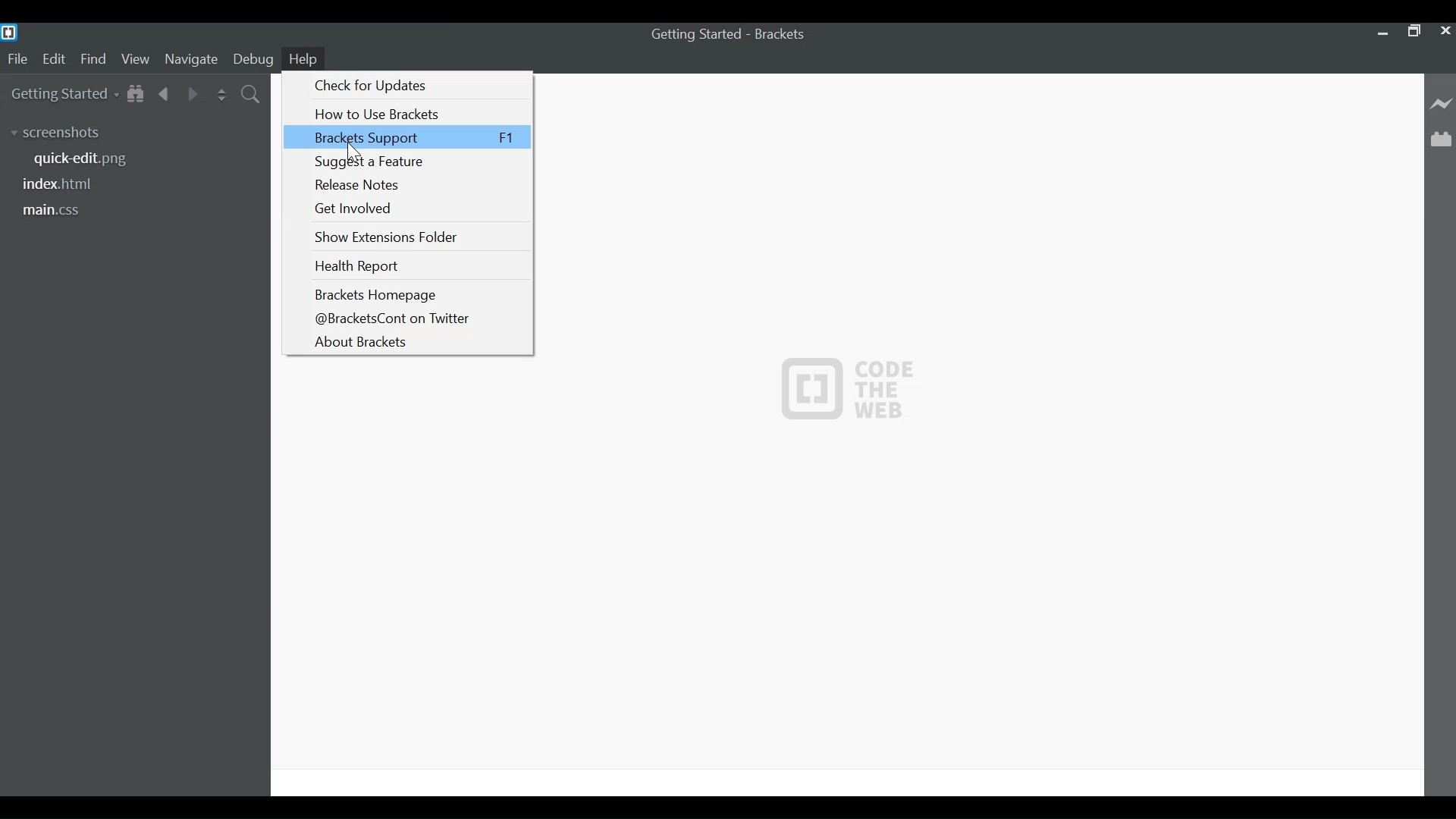 The width and height of the screenshot is (1456, 819). What do you see at coordinates (416, 86) in the screenshot?
I see `Check For Updates` at bounding box center [416, 86].